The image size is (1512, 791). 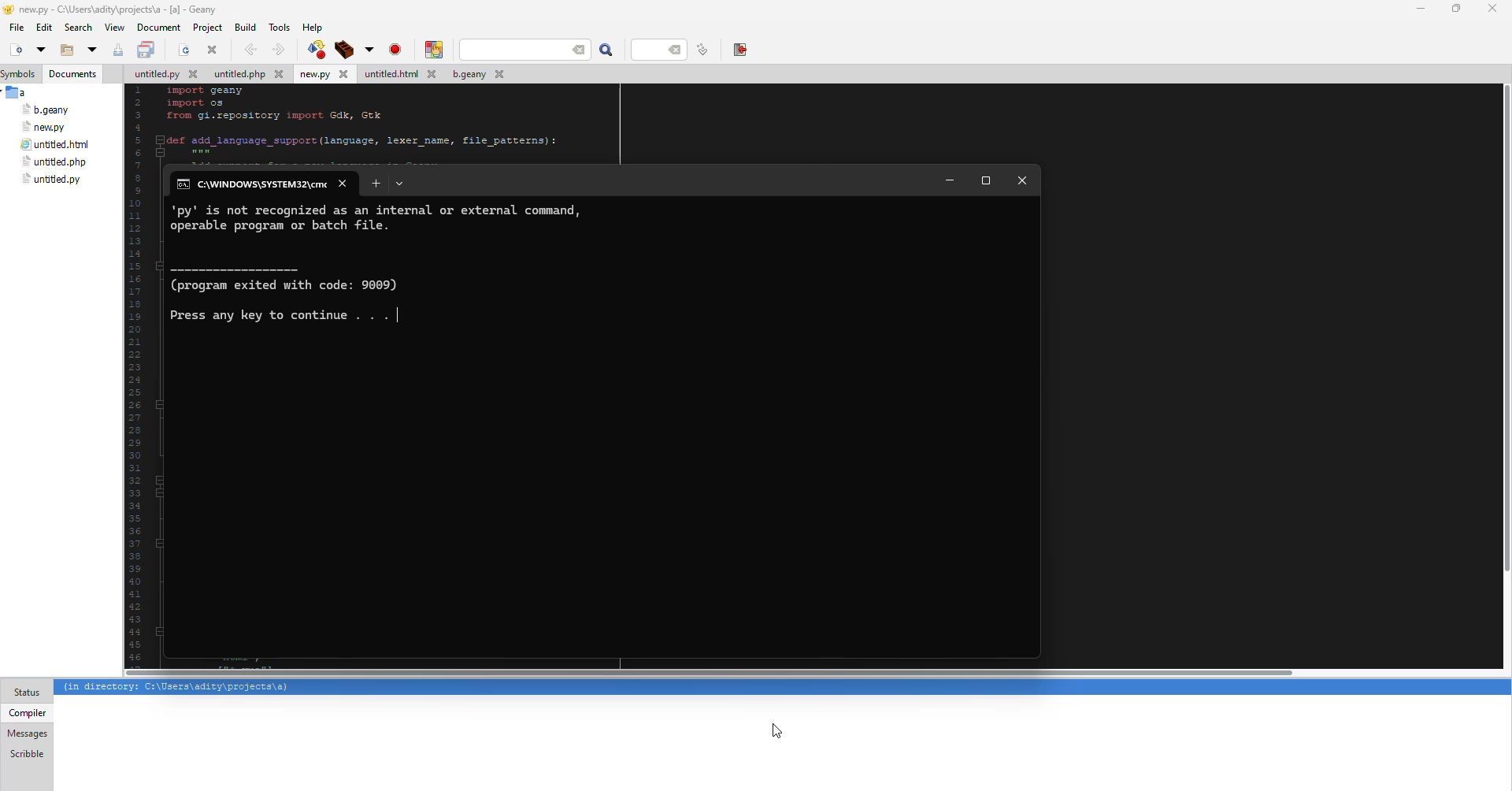 I want to click on save, so click(x=118, y=50).